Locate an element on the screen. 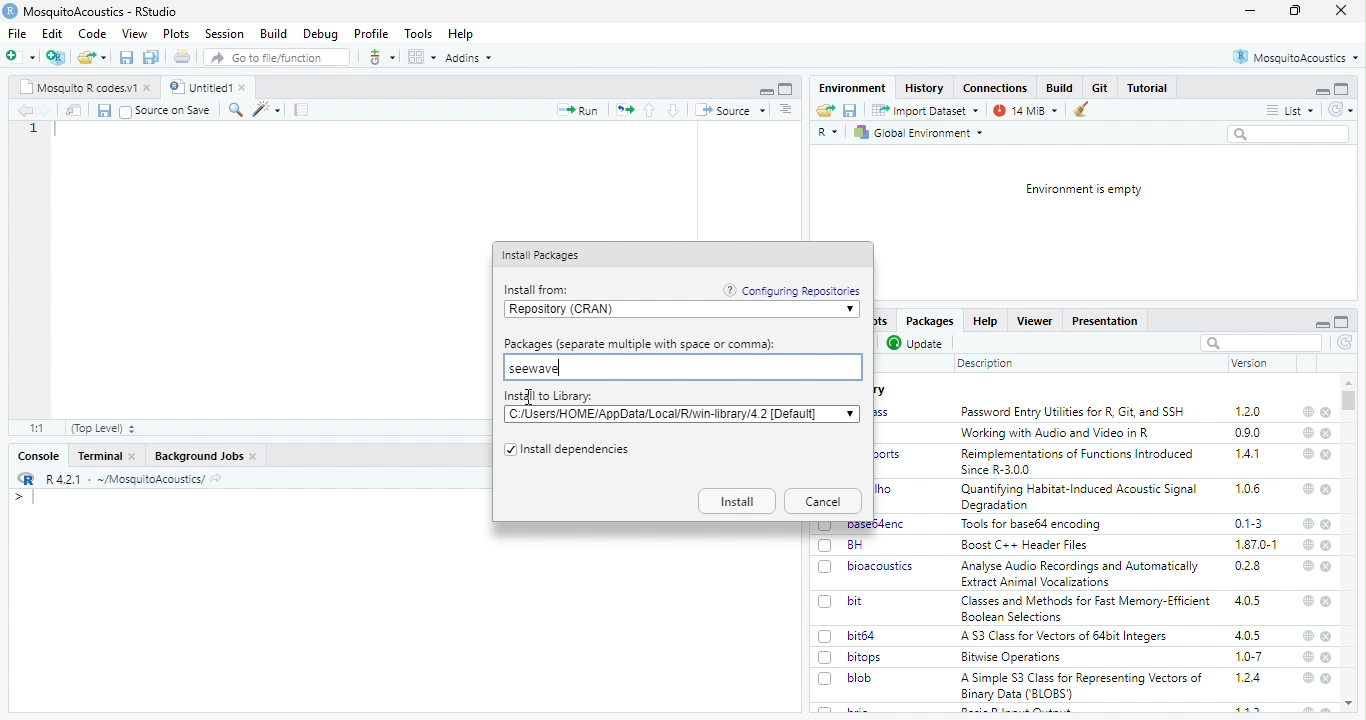  backward is located at coordinates (24, 110).